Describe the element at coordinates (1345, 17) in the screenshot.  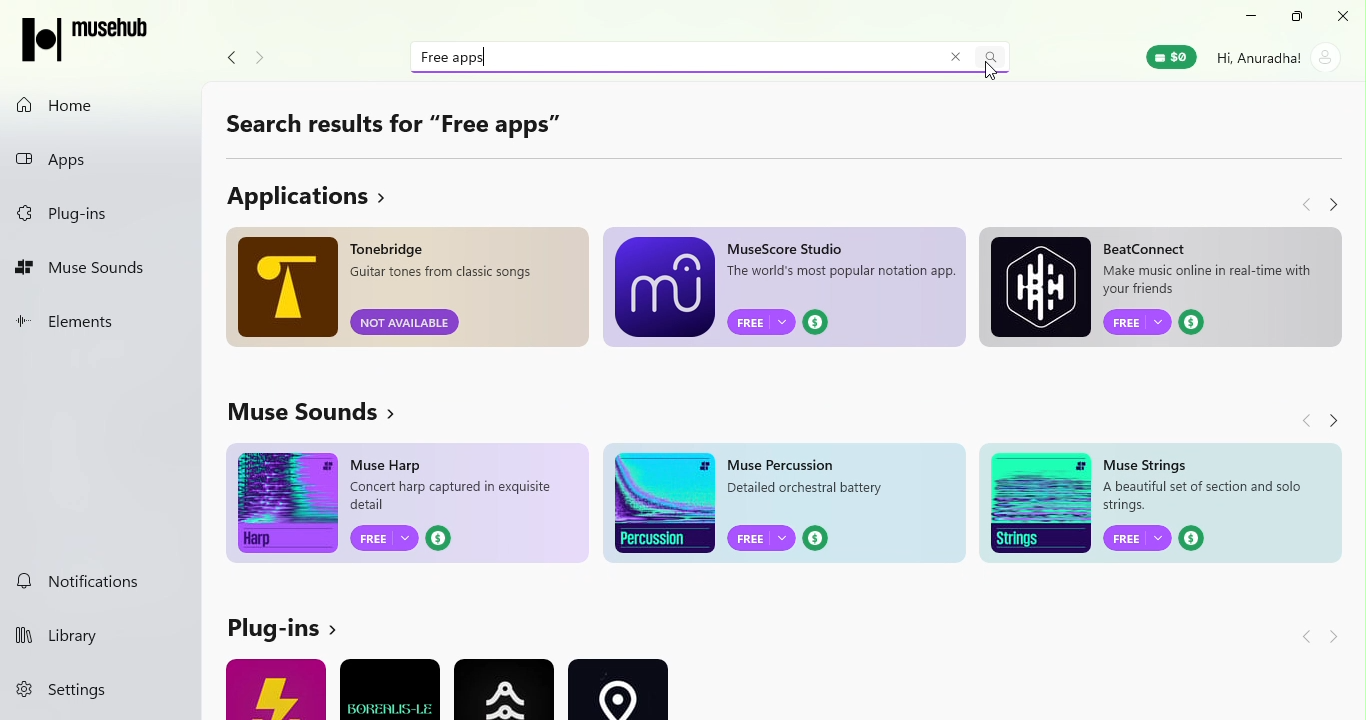
I see `Close` at that location.